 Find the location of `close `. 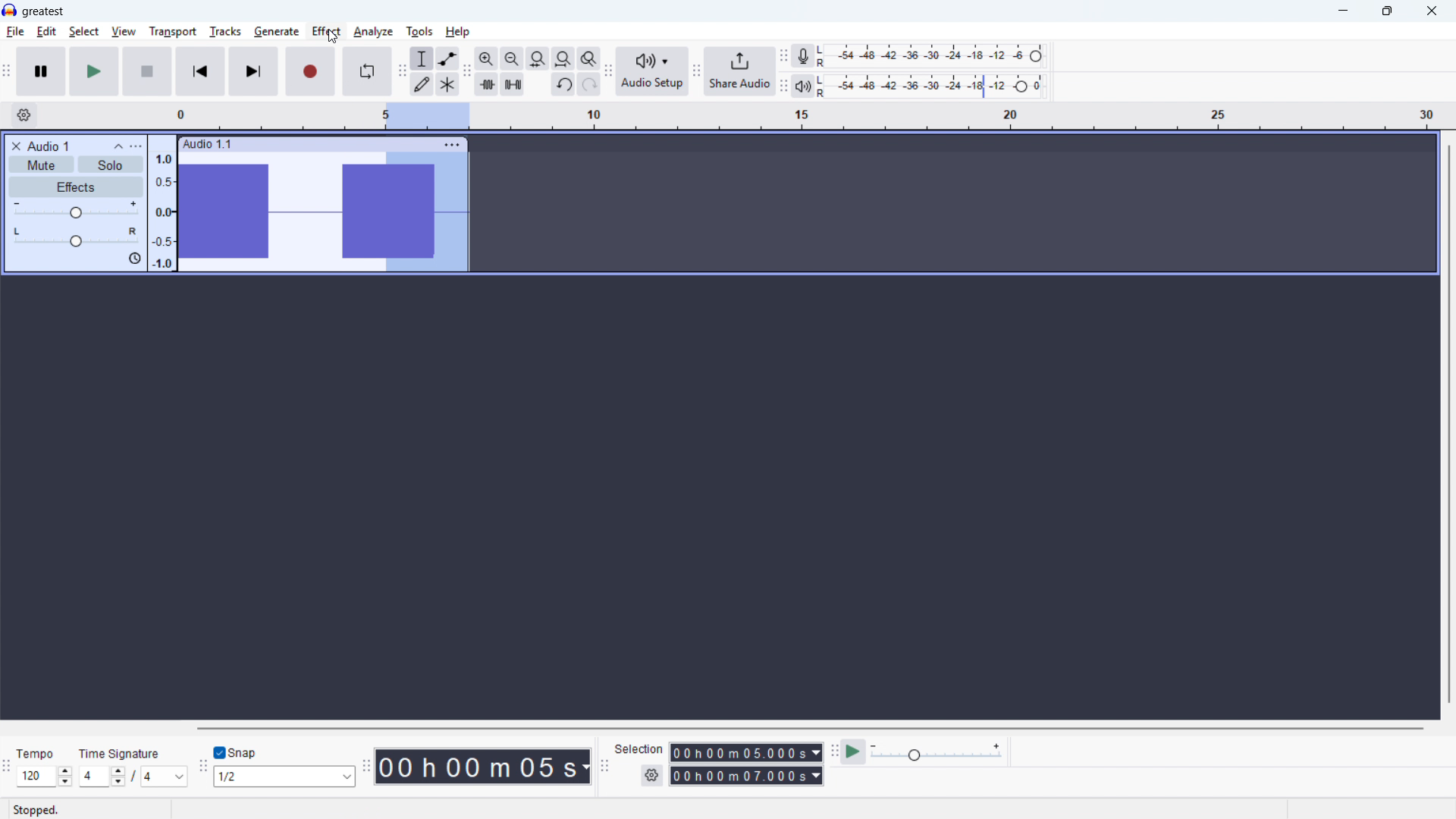

close  is located at coordinates (1431, 11).